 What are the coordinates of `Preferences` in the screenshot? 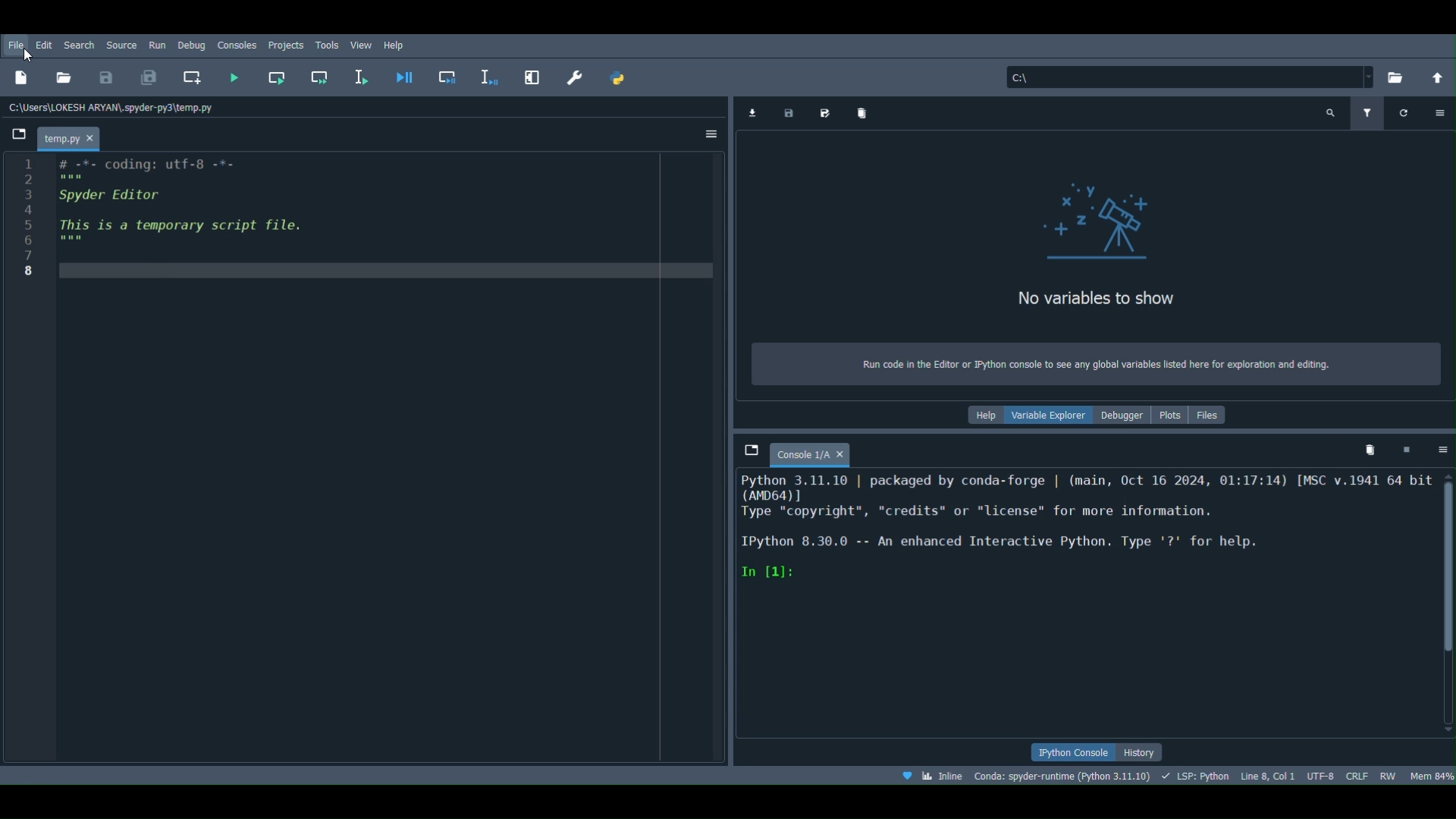 It's located at (577, 77).